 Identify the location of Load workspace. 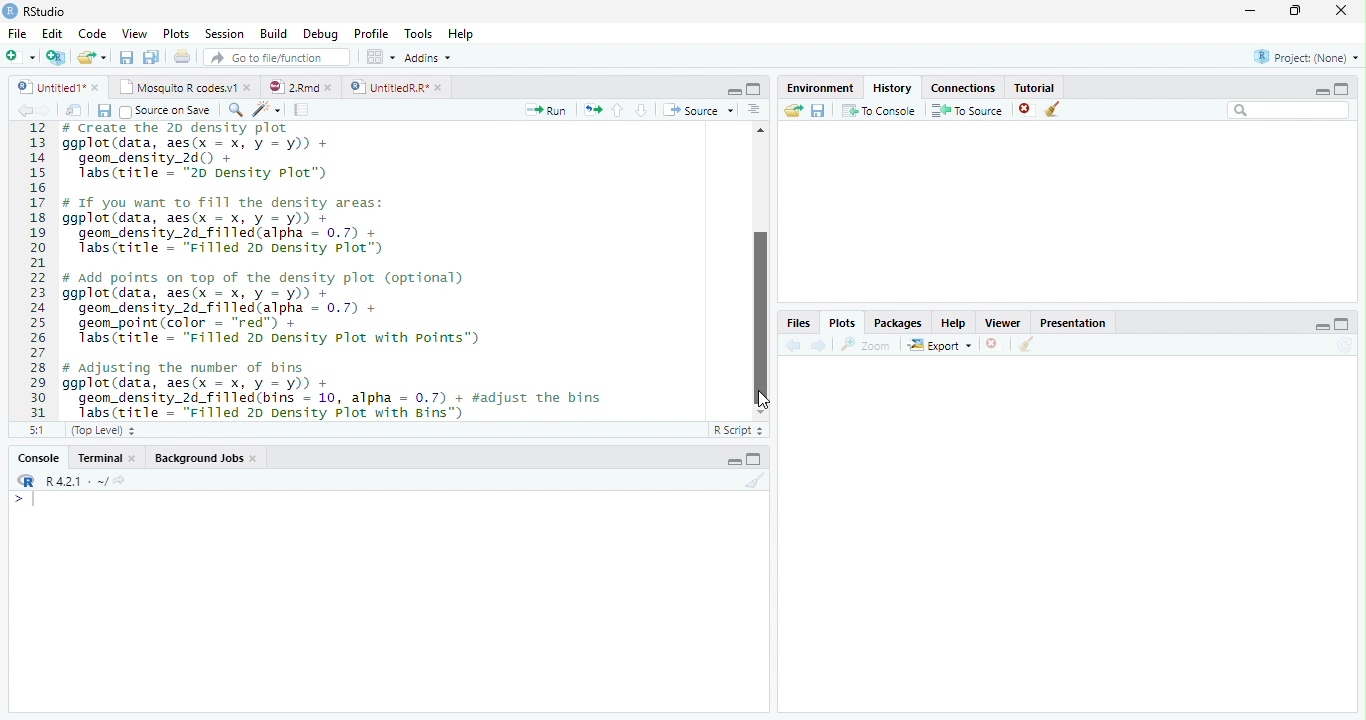
(791, 111).